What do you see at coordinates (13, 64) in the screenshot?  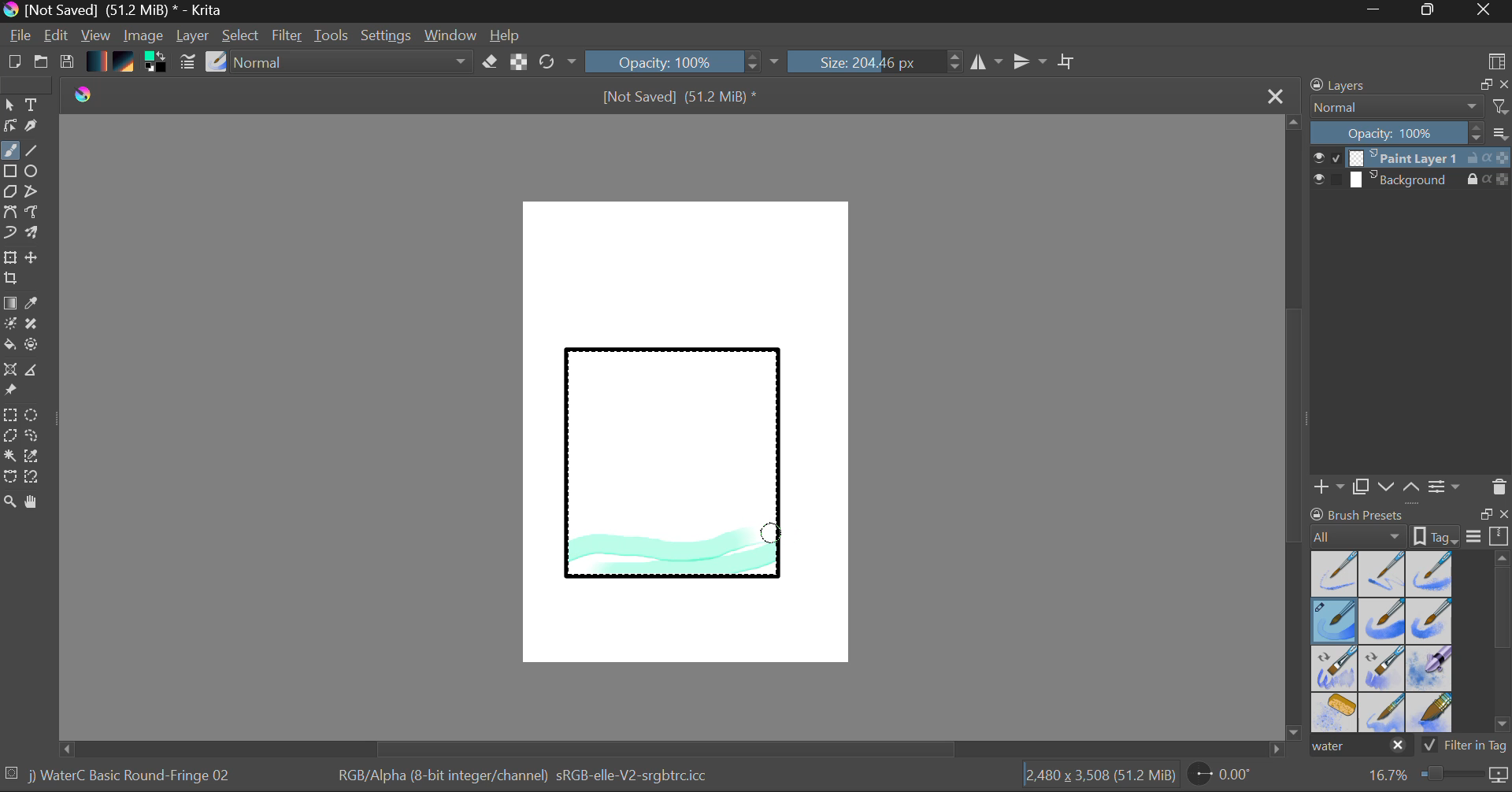 I see `New` at bounding box center [13, 64].